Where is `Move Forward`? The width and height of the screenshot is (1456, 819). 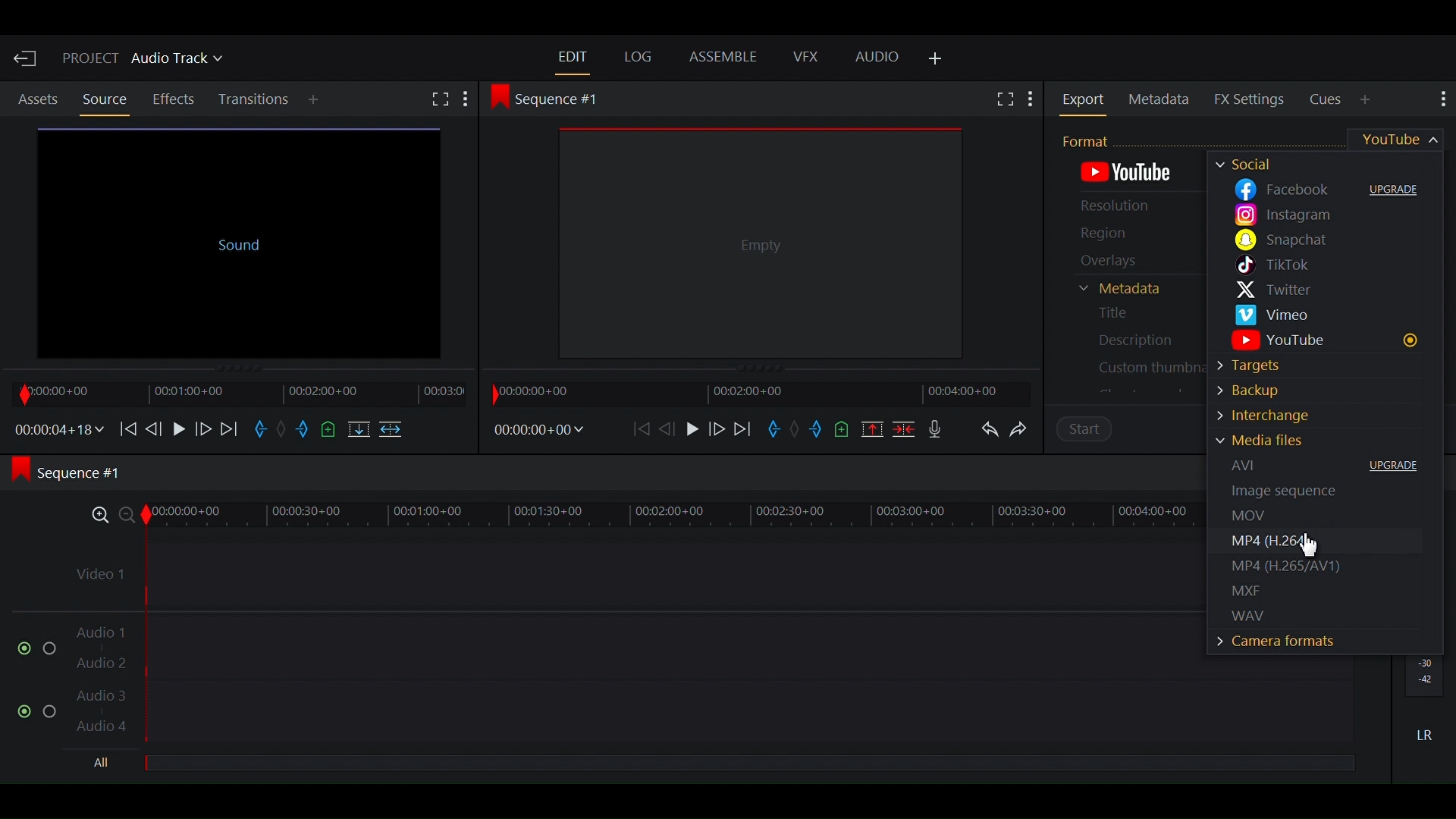 Move Forward is located at coordinates (231, 428).